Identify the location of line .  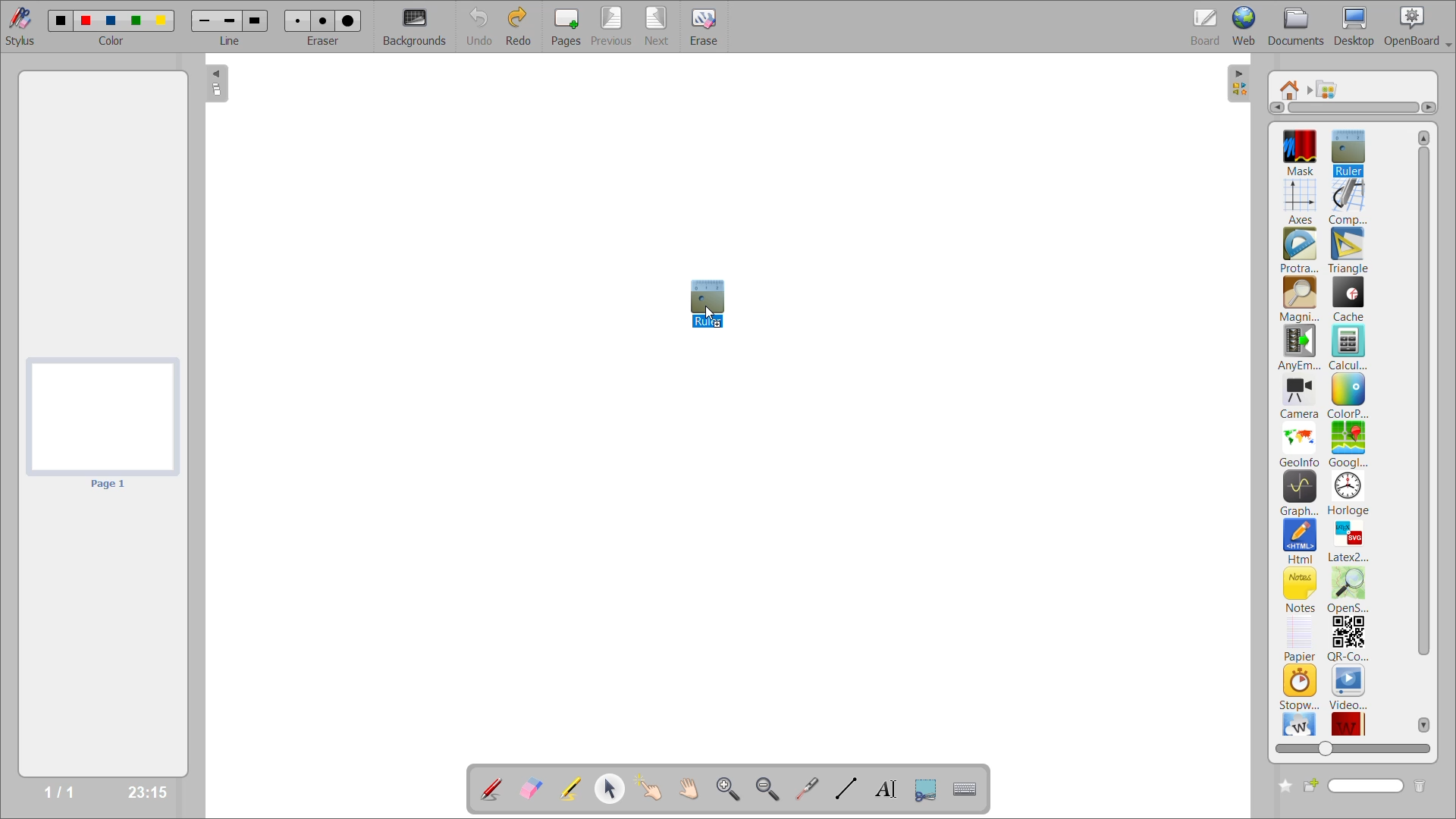
(231, 40).